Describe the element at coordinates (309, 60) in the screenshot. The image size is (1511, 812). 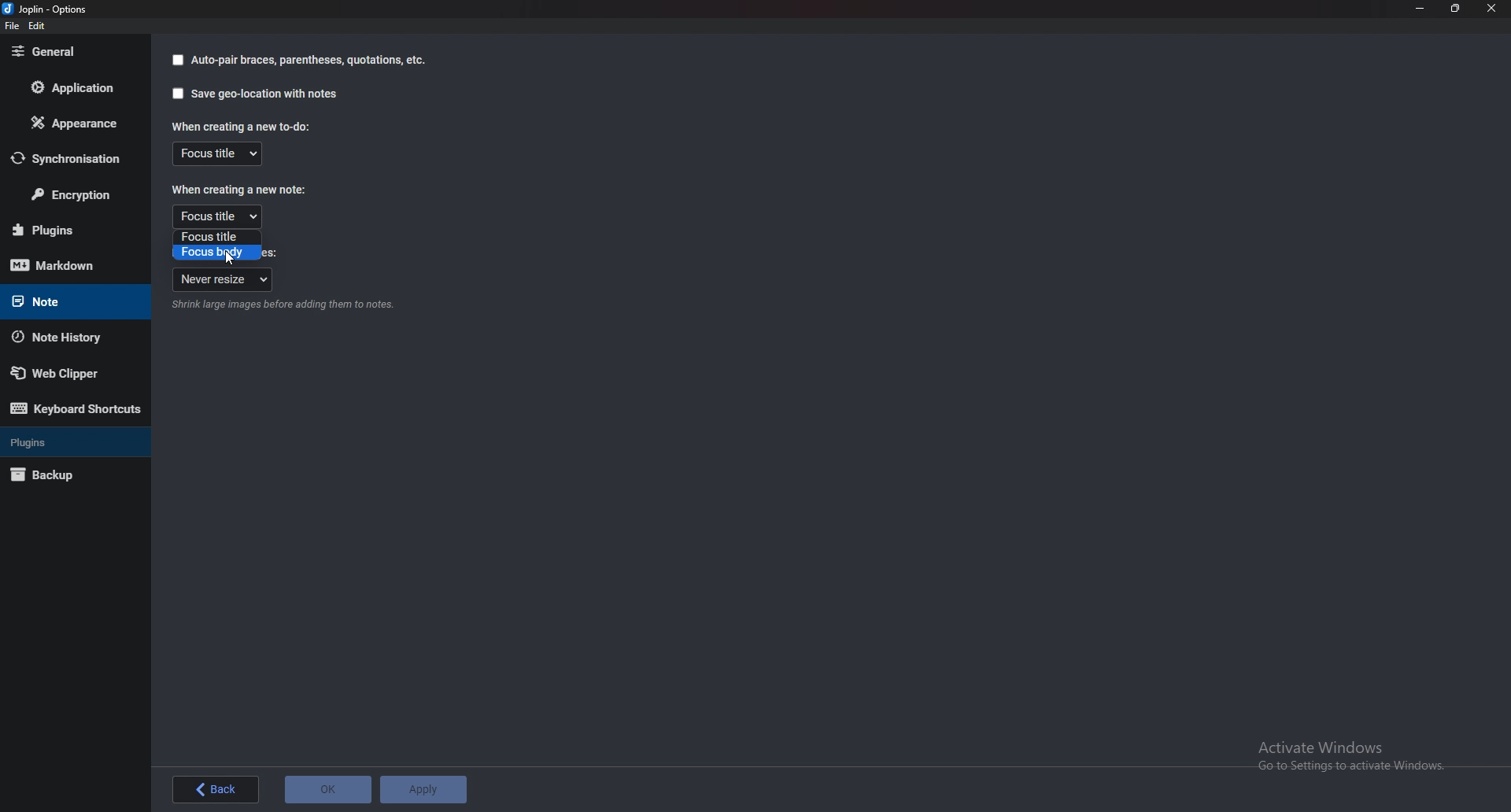
I see `Autopair braces parenthesis quotation Etcetera` at that location.